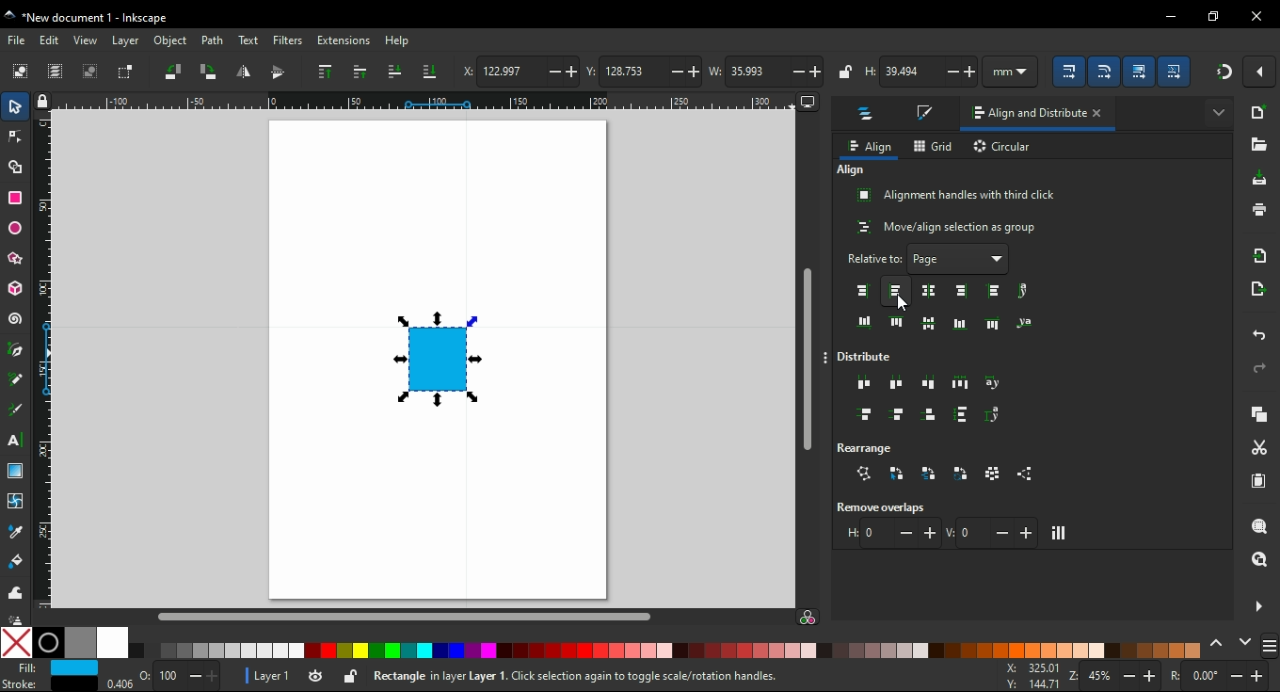 The height and width of the screenshot is (692, 1280). Describe the element at coordinates (900, 473) in the screenshot. I see `exchange positions of selected objects - selection order` at that location.